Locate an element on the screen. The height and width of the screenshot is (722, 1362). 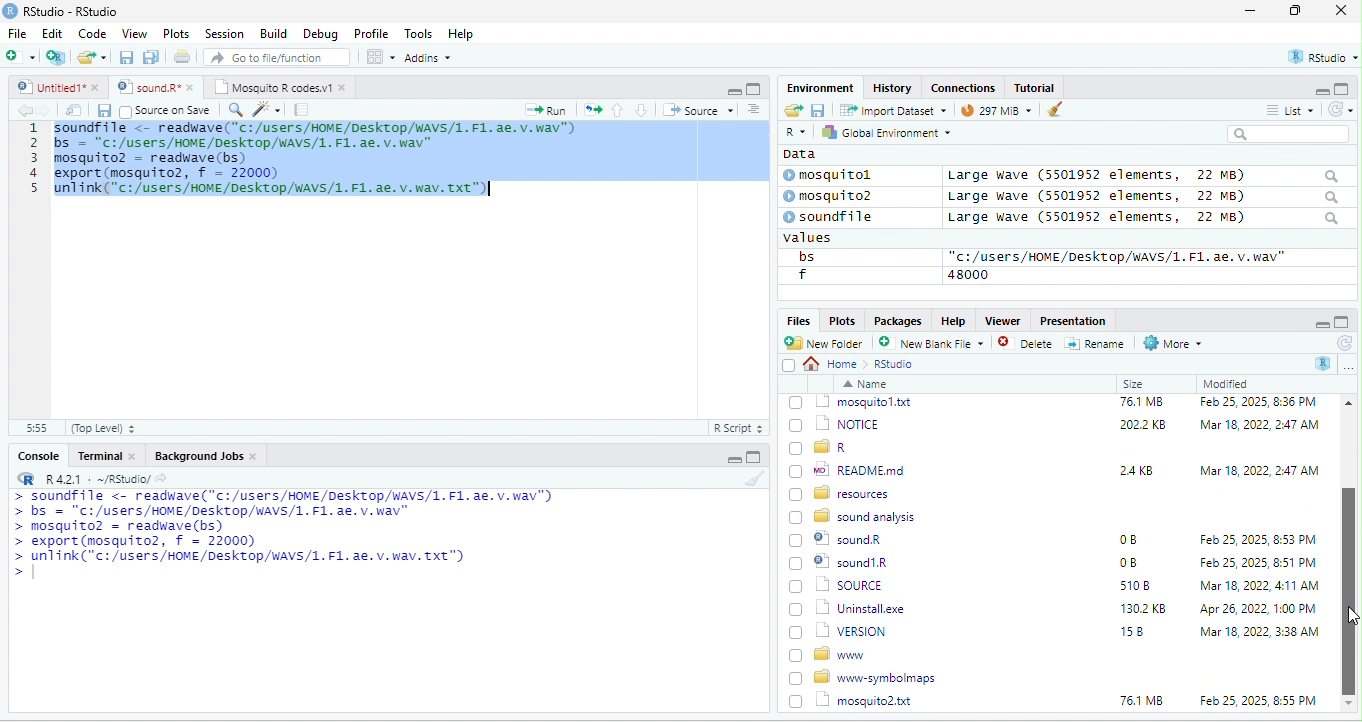
349K8 is located at coordinates (1140, 475).